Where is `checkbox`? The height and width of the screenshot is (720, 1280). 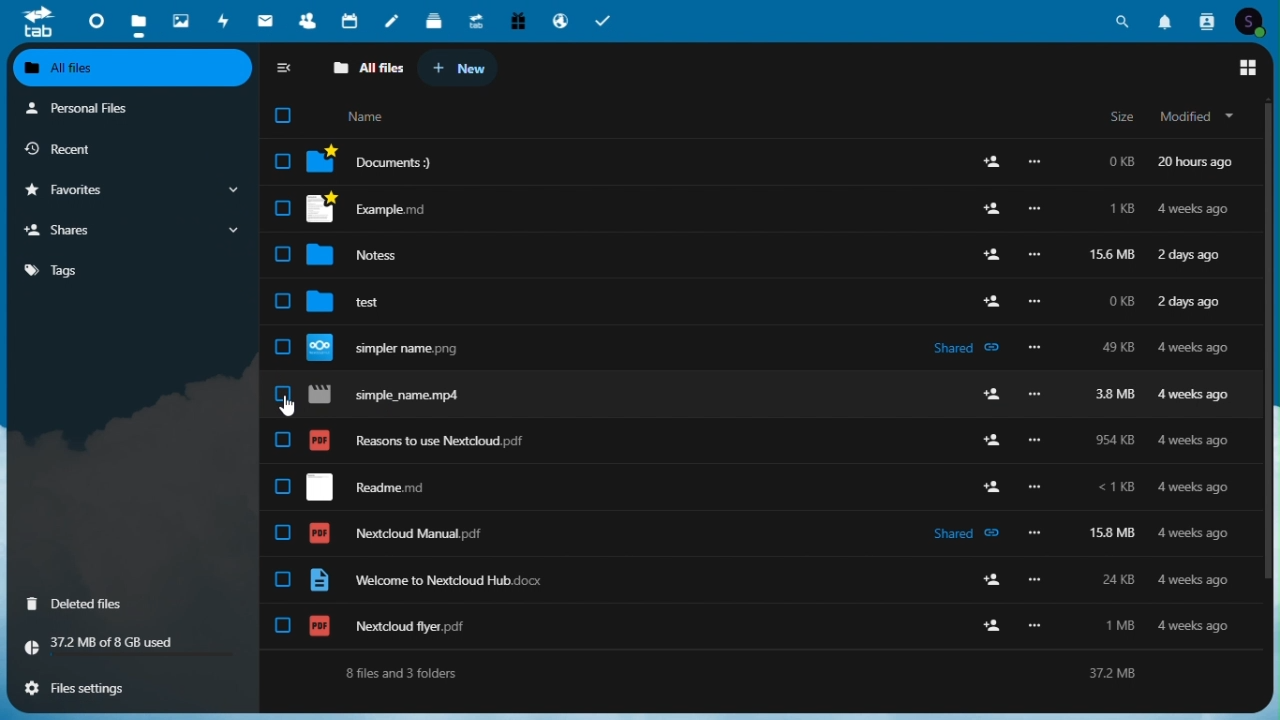 checkbox is located at coordinates (284, 113).